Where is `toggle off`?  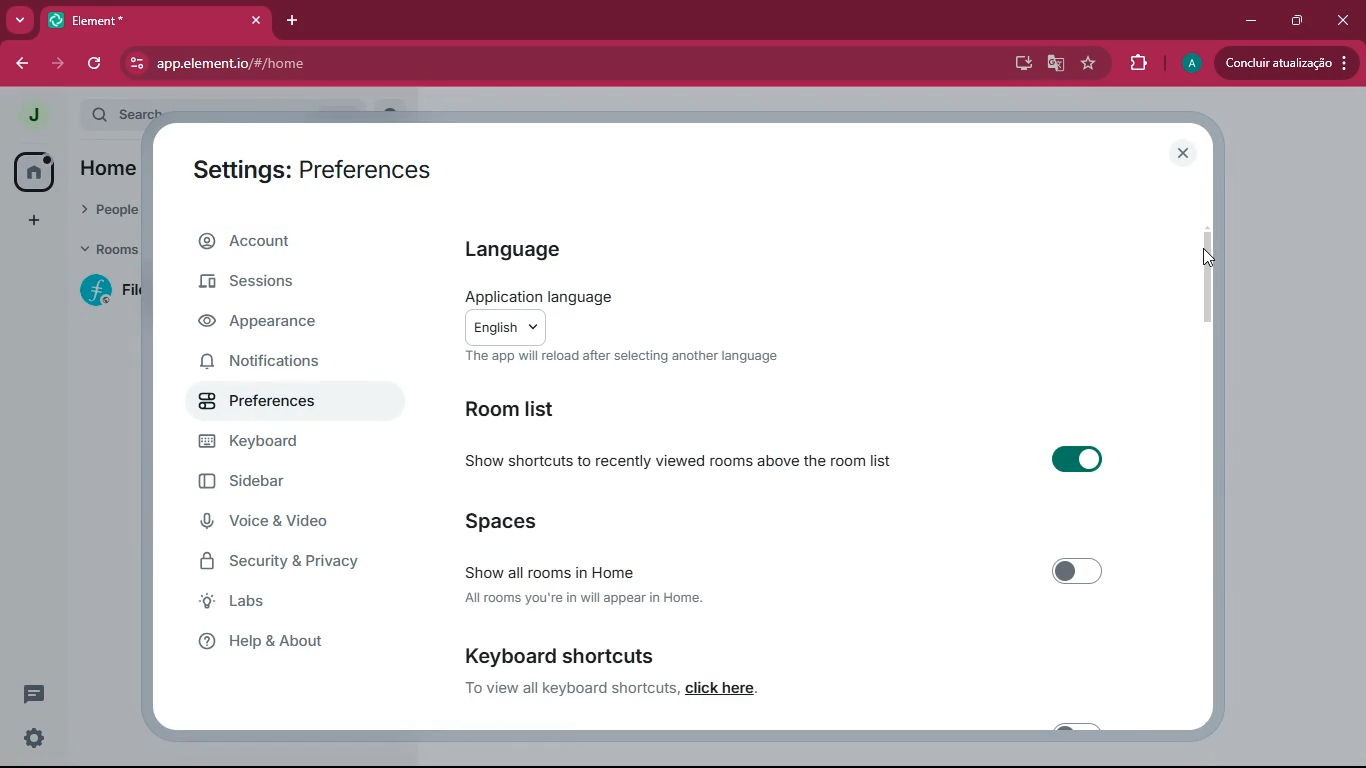 toggle off is located at coordinates (1080, 726).